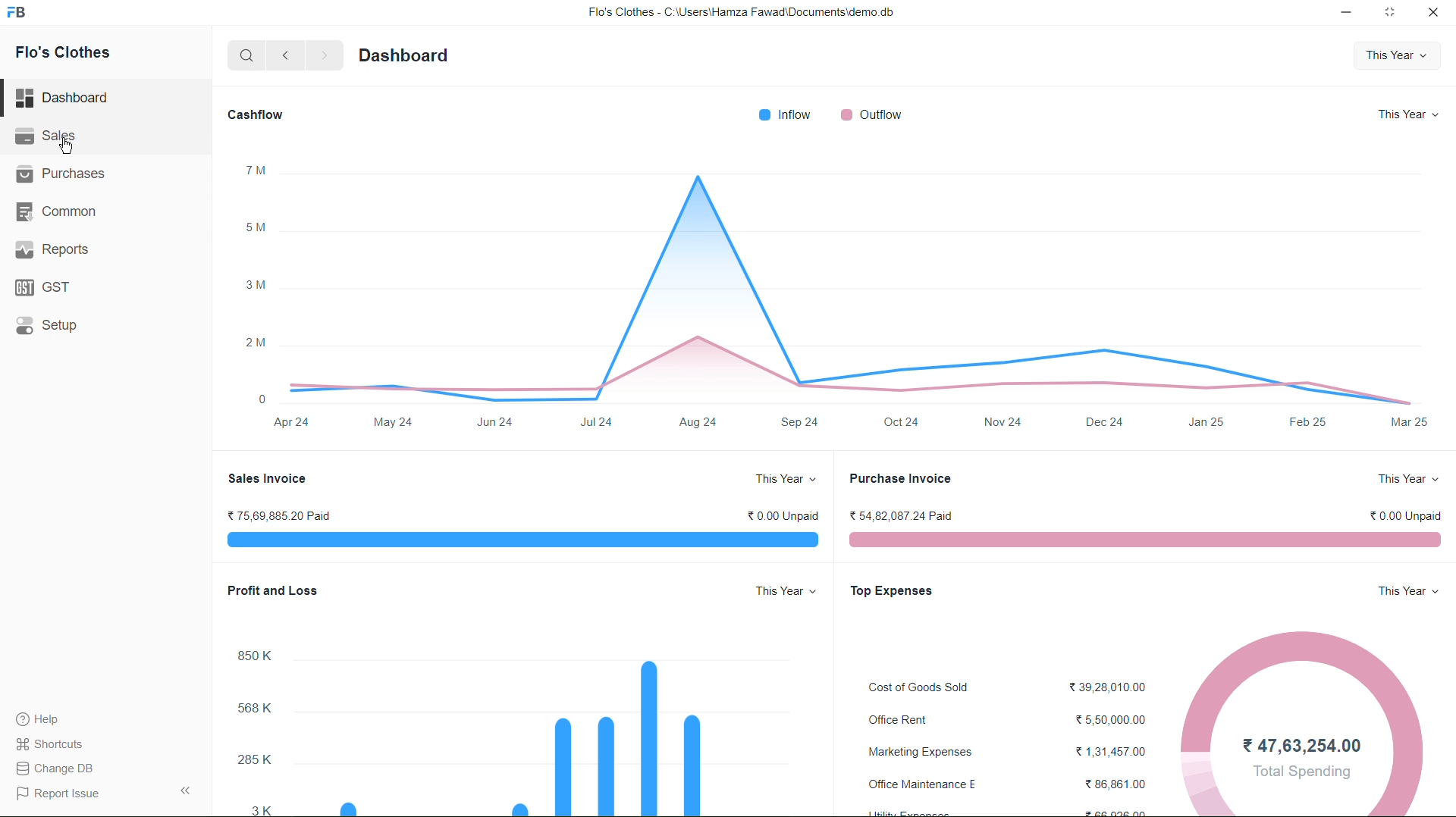 The height and width of the screenshot is (817, 1456). What do you see at coordinates (1106, 747) in the screenshot?
I see `Rs. 1,31,457.00` at bounding box center [1106, 747].